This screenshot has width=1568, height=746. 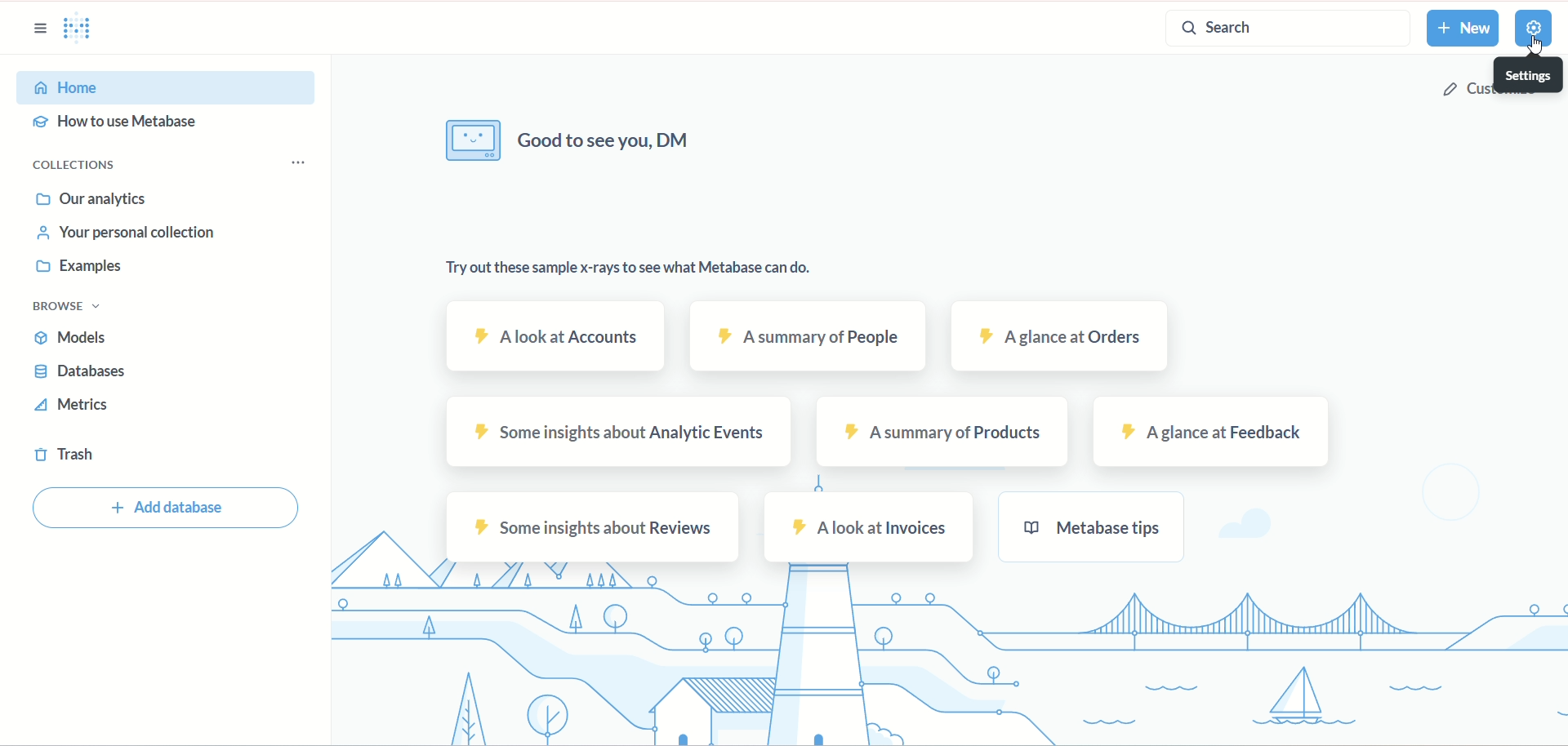 What do you see at coordinates (122, 236) in the screenshot?
I see `your personal collection` at bounding box center [122, 236].